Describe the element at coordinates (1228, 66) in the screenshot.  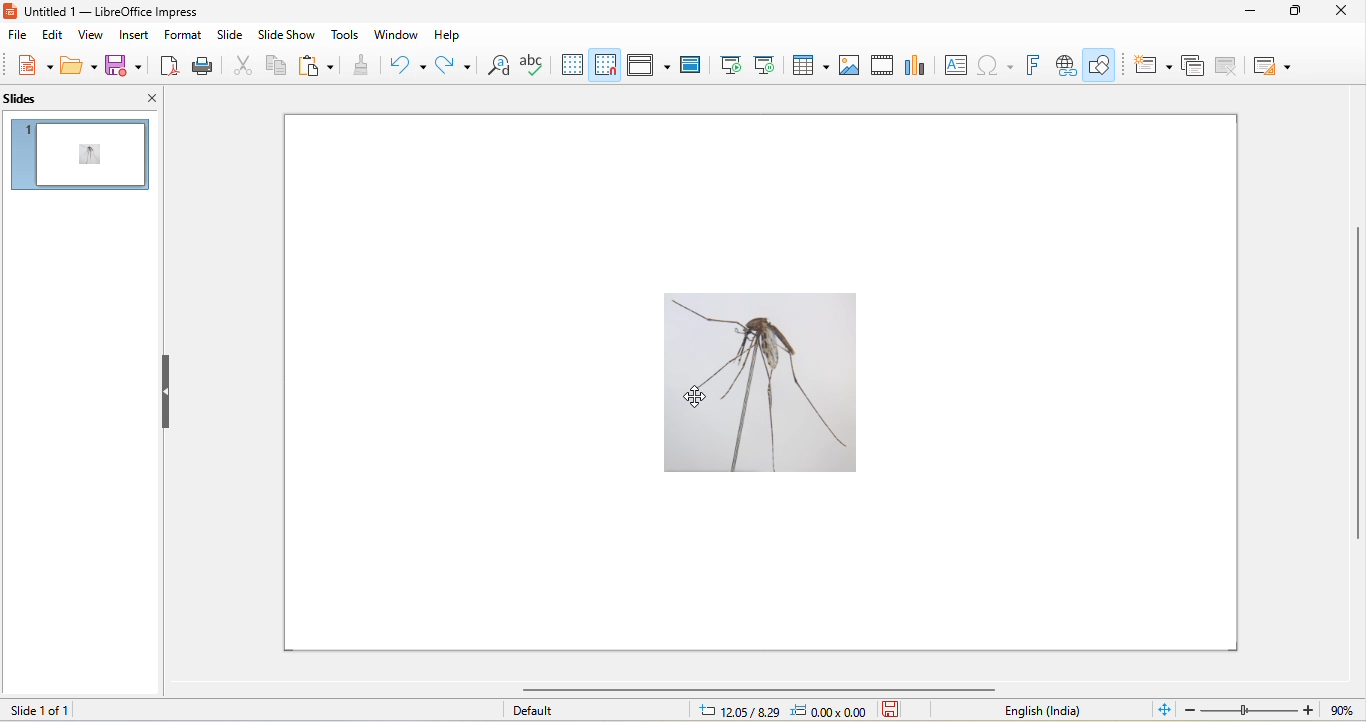
I see `delete slide` at that location.